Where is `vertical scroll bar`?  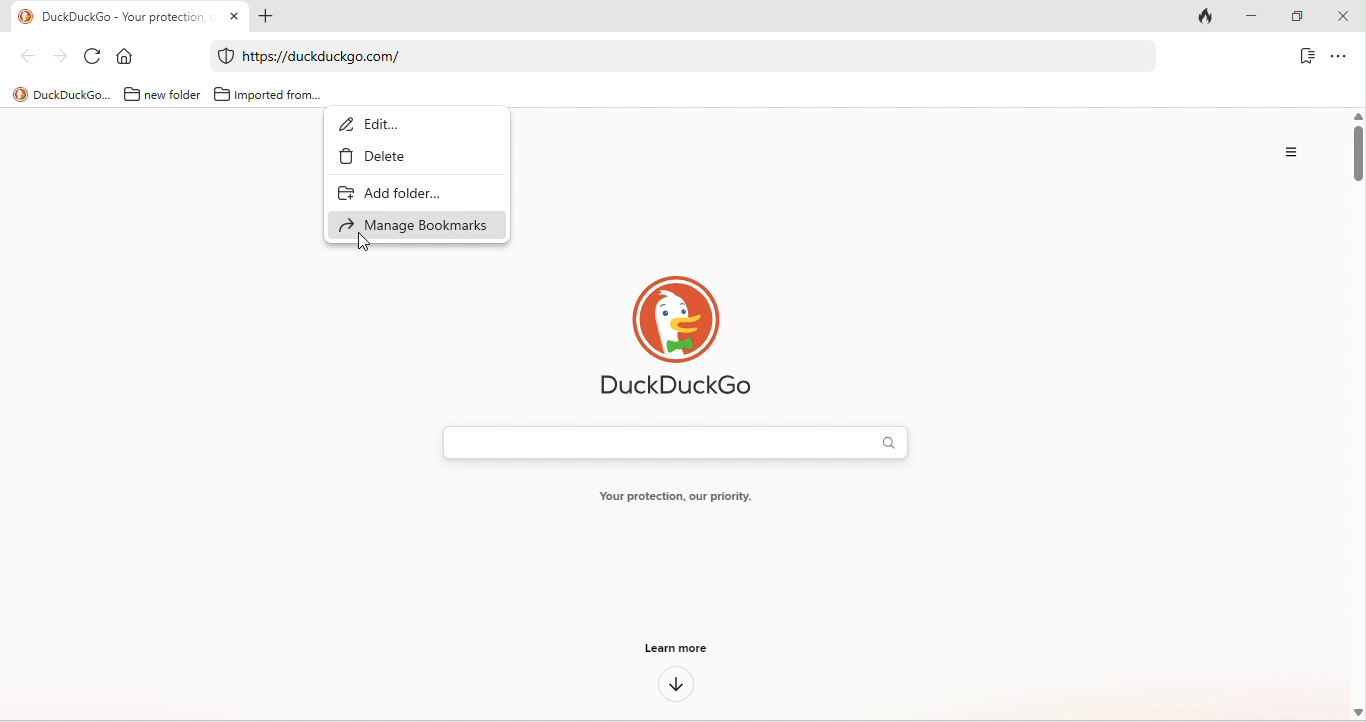 vertical scroll bar is located at coordinates (1357, 152).